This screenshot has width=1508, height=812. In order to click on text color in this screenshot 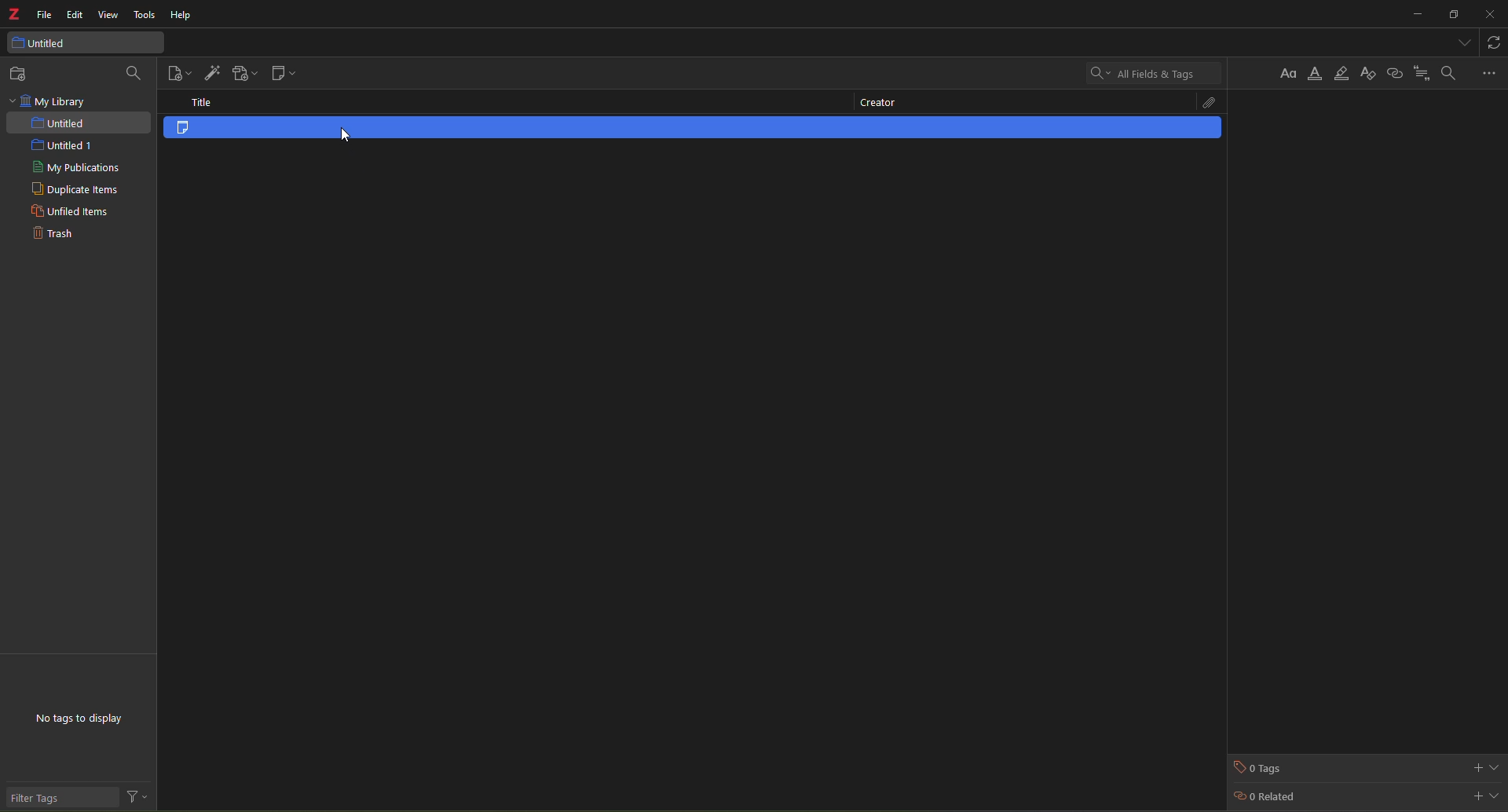, I will do `click(1316, 75)`.